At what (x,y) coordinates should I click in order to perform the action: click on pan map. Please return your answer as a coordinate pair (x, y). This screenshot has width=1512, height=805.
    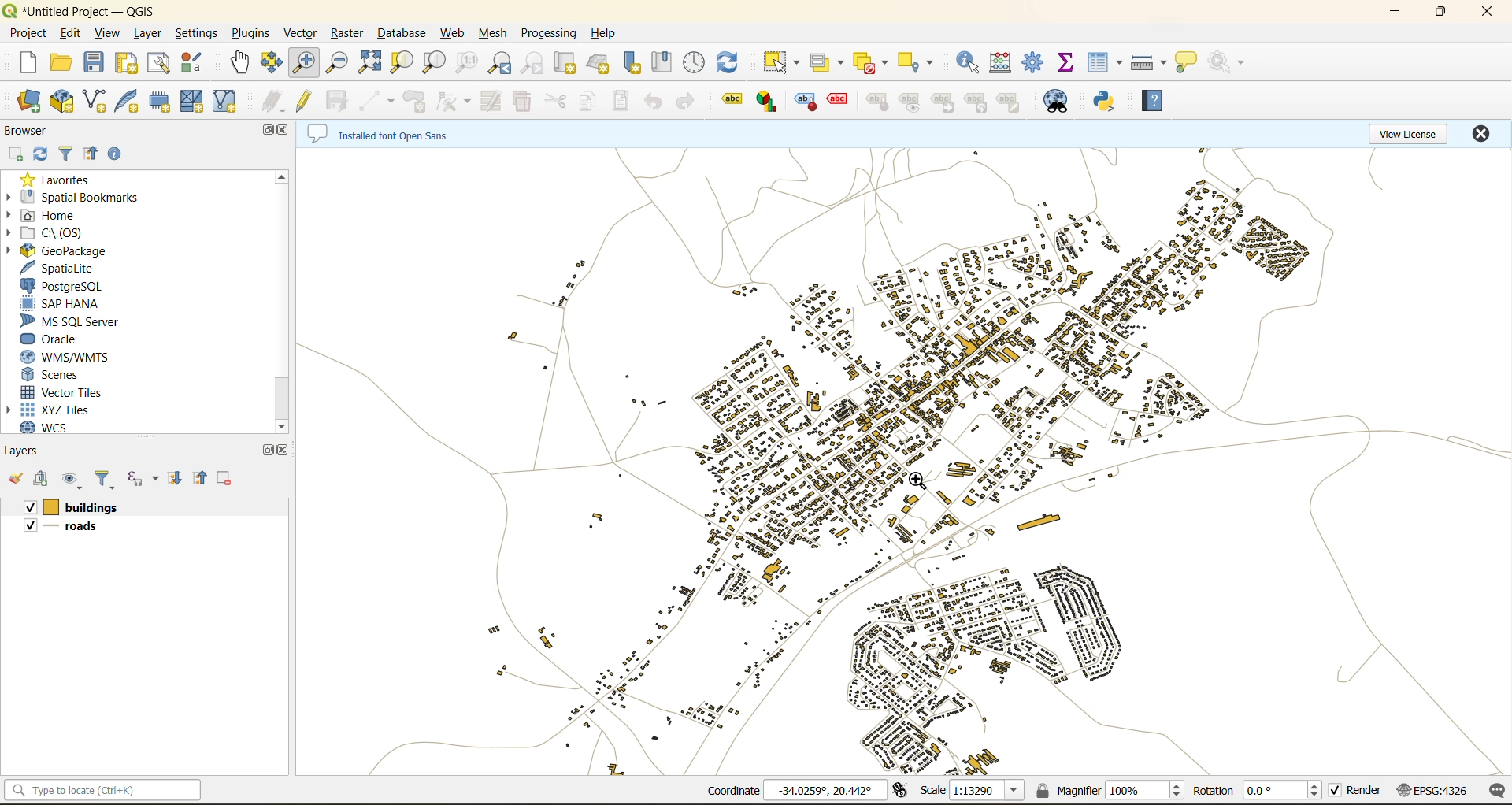
    Looking at the image, I should click on (239, 63).